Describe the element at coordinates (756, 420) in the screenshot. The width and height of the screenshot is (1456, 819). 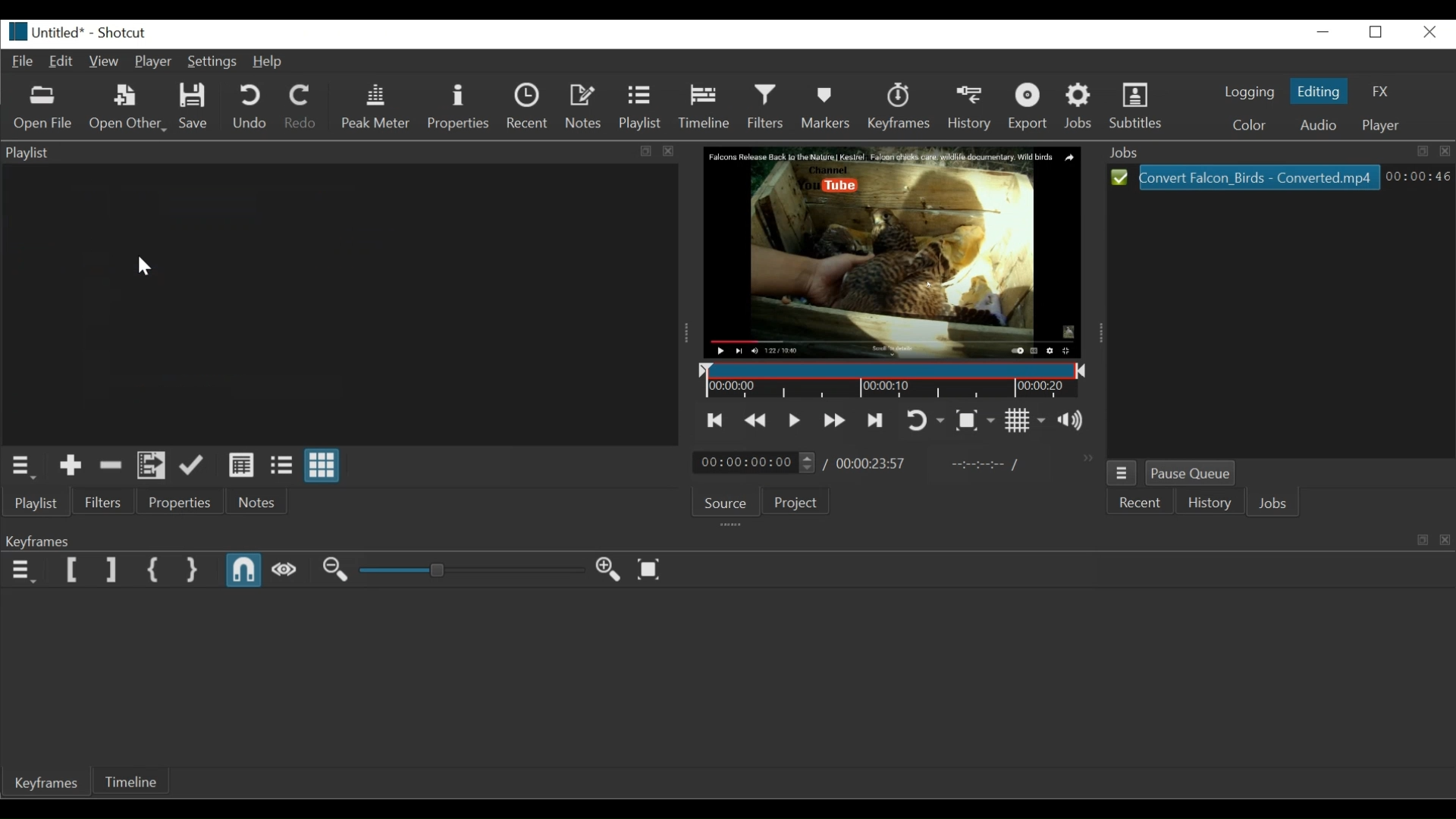
I see `Play quickly backward` at that location.